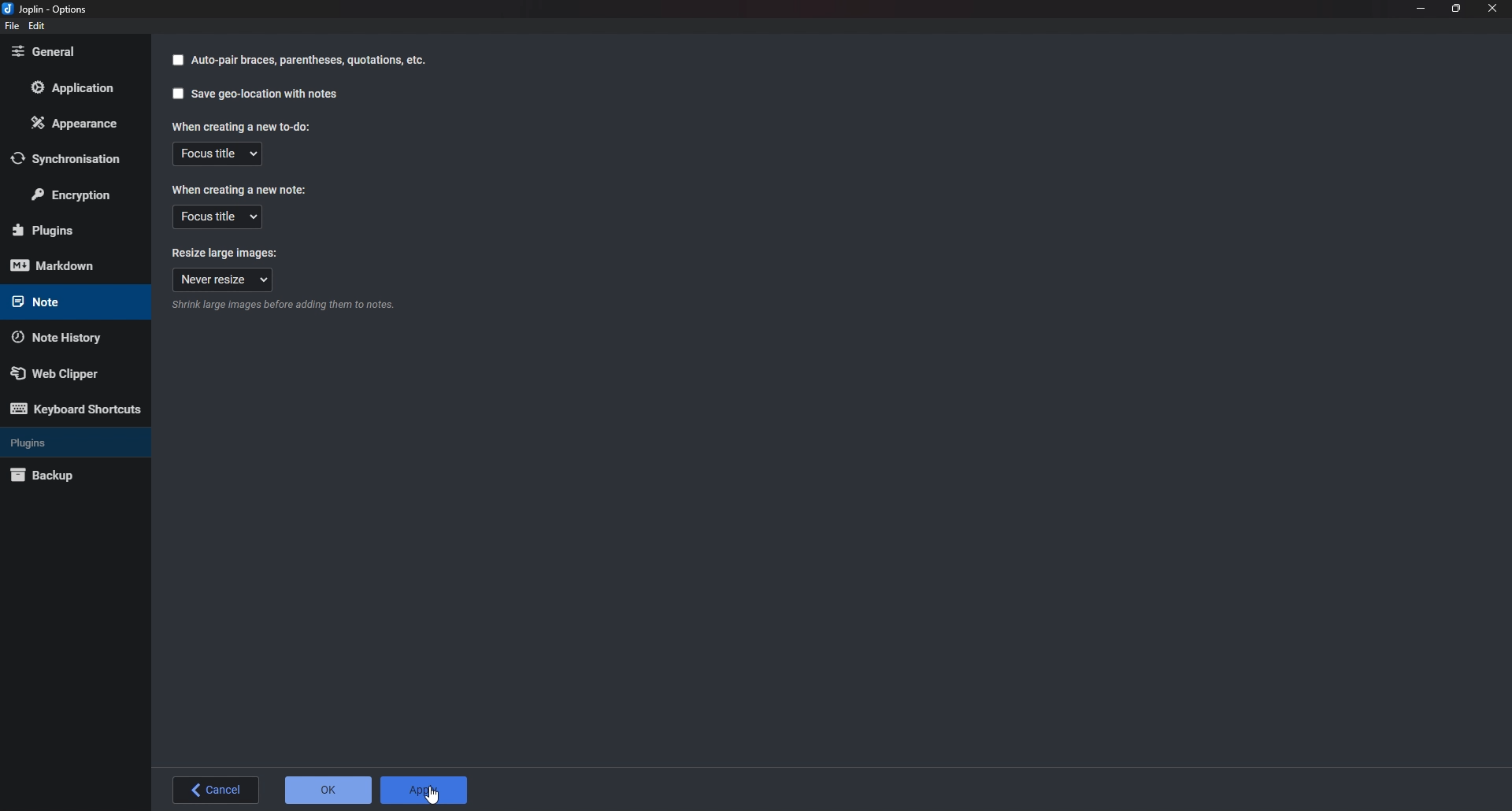  Describe the element at coordinates (239, 125) in the screenshot. I see `When creating a new to do` at that location.